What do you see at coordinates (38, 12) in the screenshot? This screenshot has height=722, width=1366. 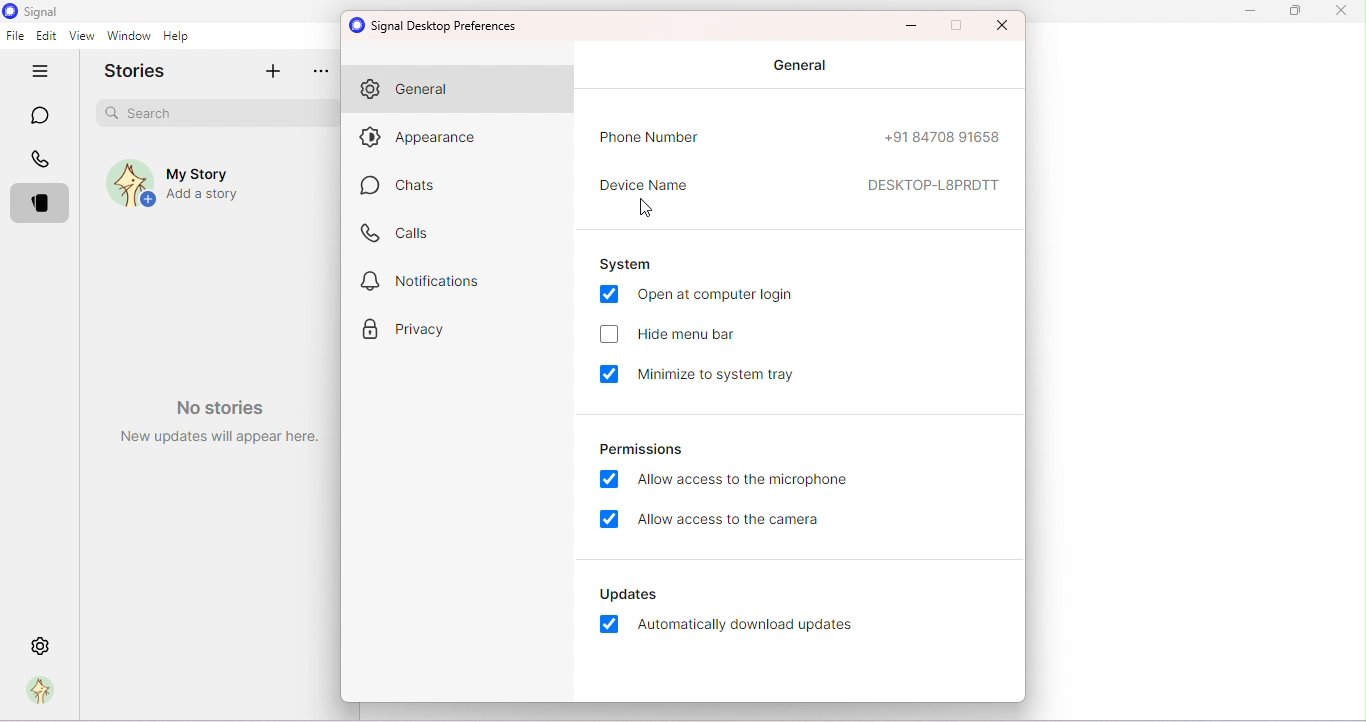 I see `Signal` at bounding box center [38, 12].